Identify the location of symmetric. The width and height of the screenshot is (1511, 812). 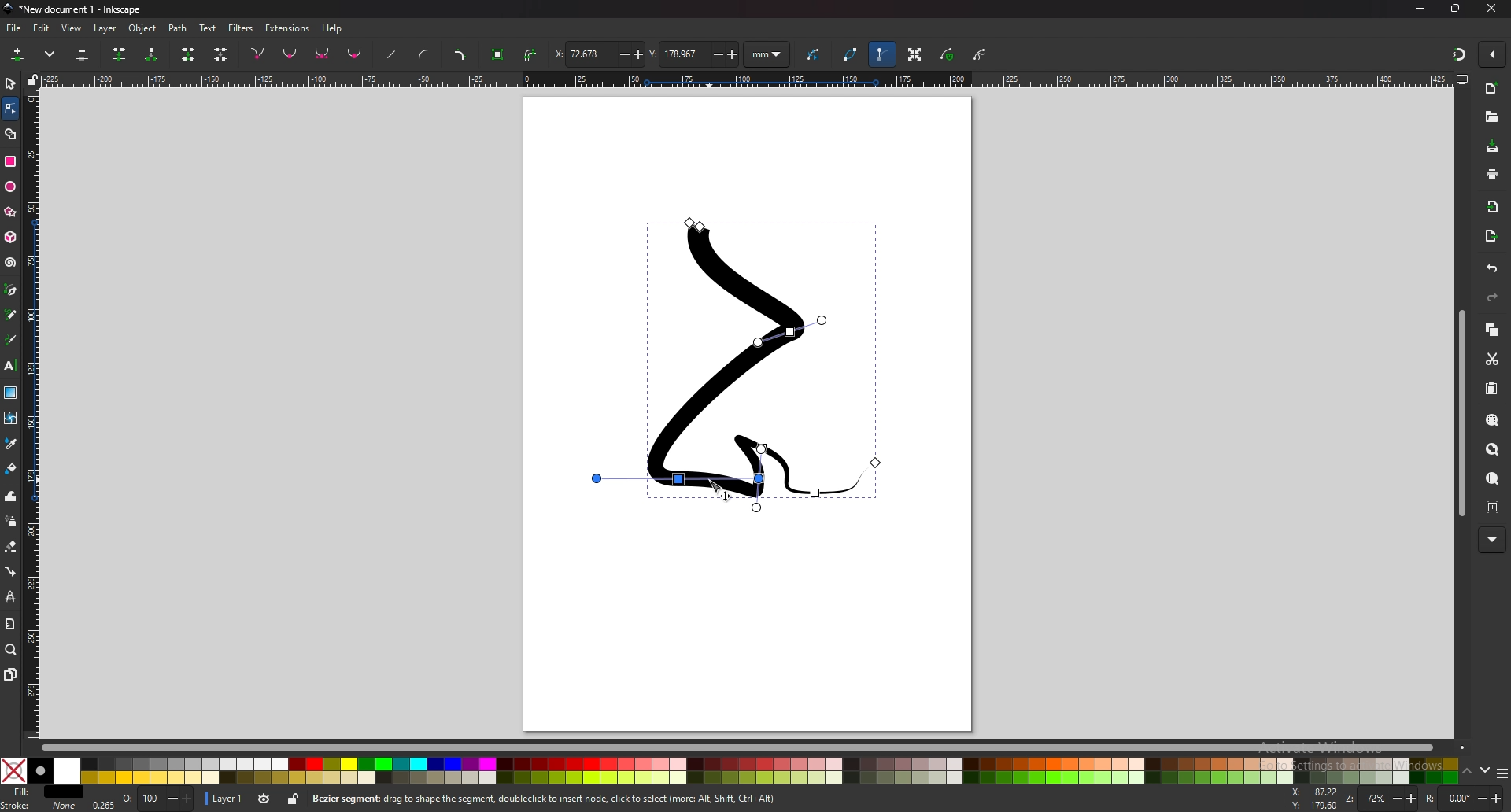
(323, 54).